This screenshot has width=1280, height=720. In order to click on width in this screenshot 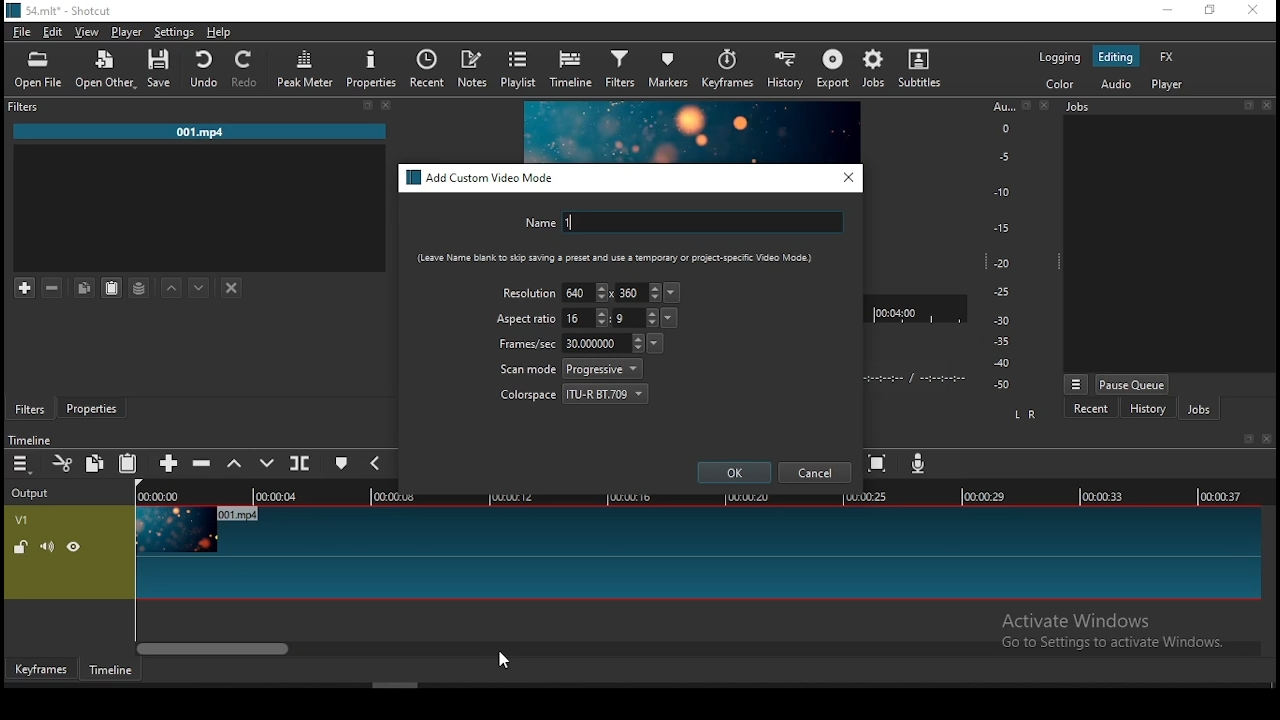, I will do `click(586, 318)`.